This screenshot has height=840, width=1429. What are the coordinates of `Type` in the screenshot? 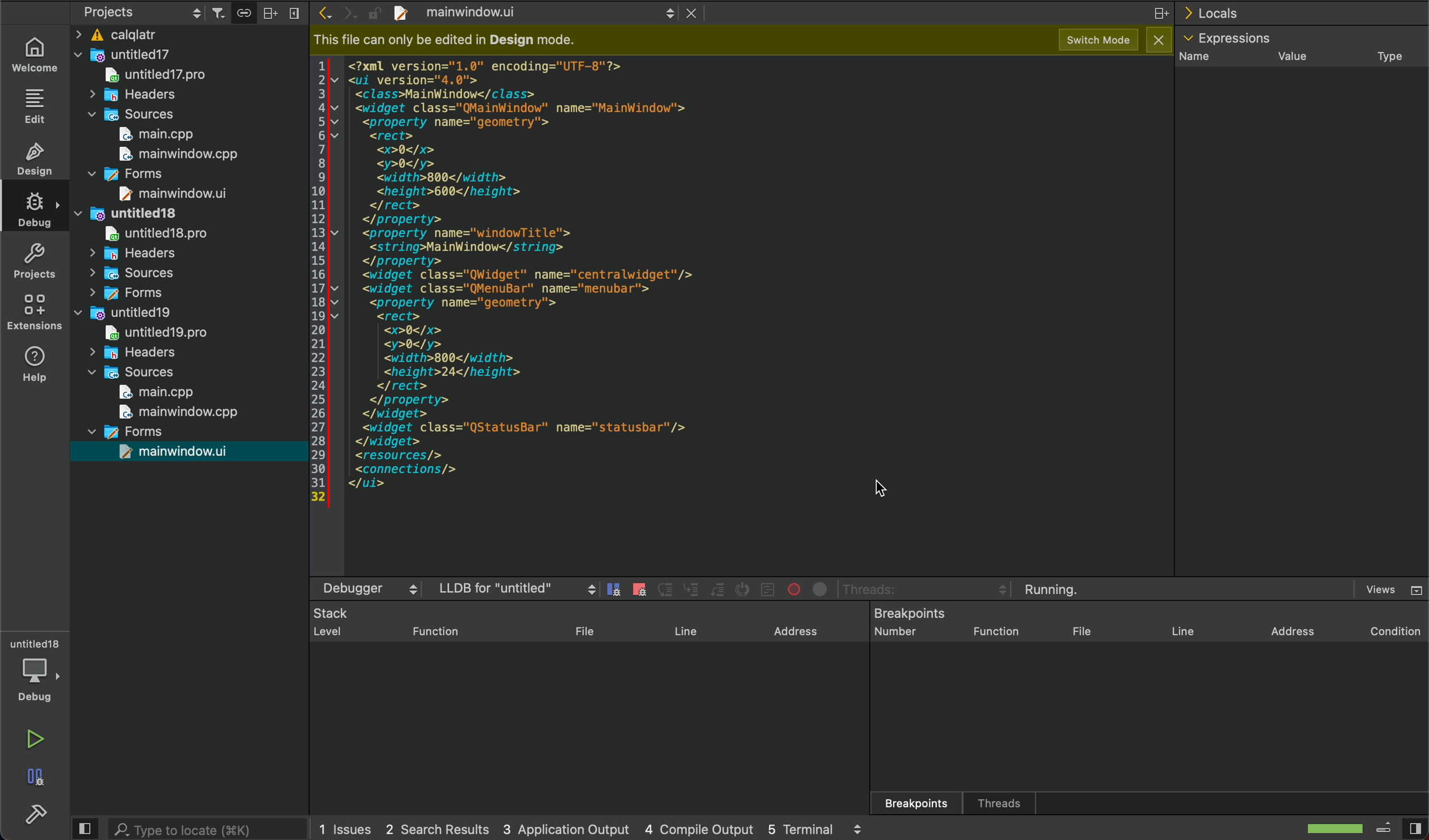 It's located at (1379, 54).